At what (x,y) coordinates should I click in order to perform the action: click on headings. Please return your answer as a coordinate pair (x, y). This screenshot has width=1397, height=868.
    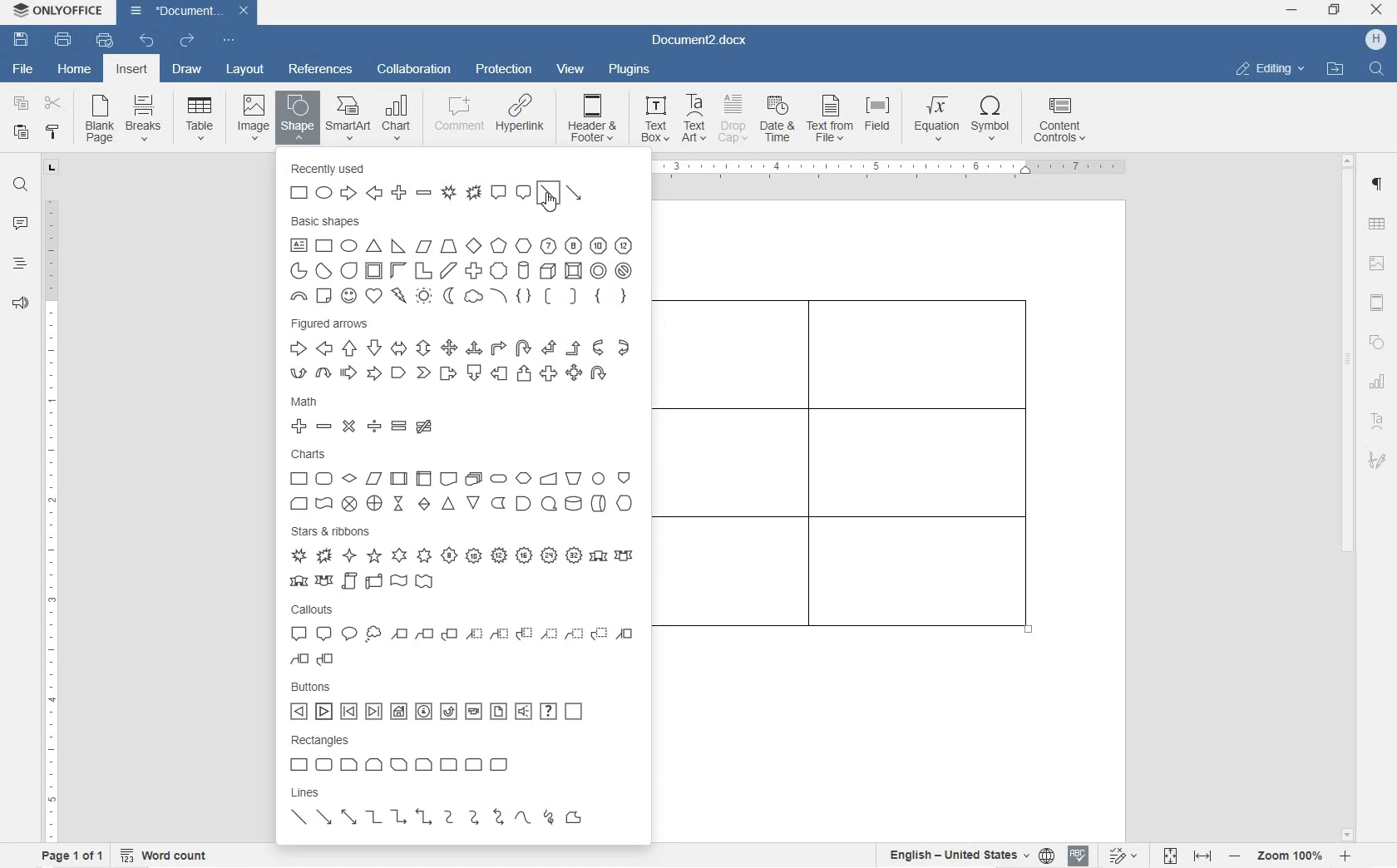
    Looking at the image, I should click on (20, 264).